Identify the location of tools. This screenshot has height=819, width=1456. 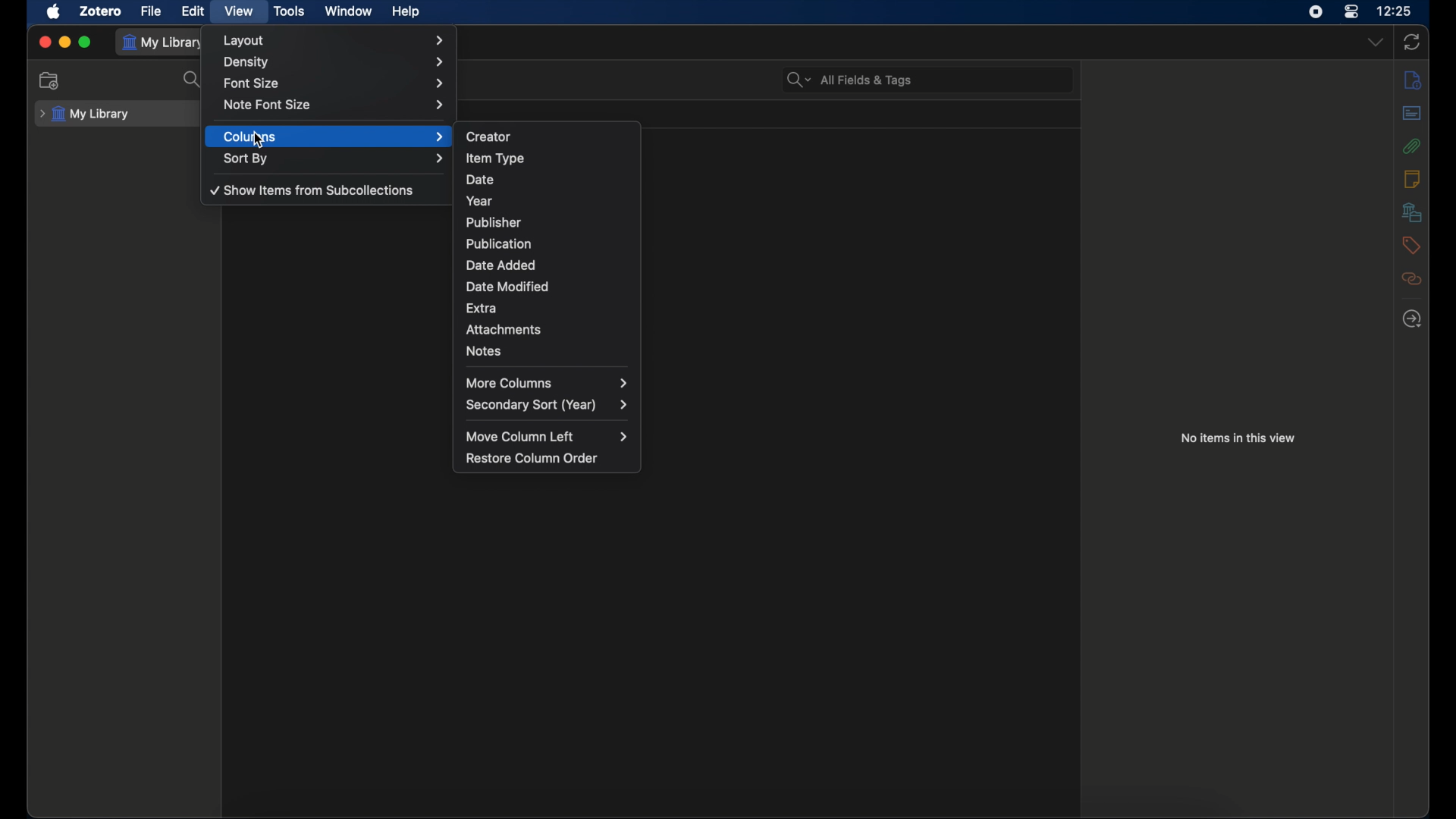
(290, 11).